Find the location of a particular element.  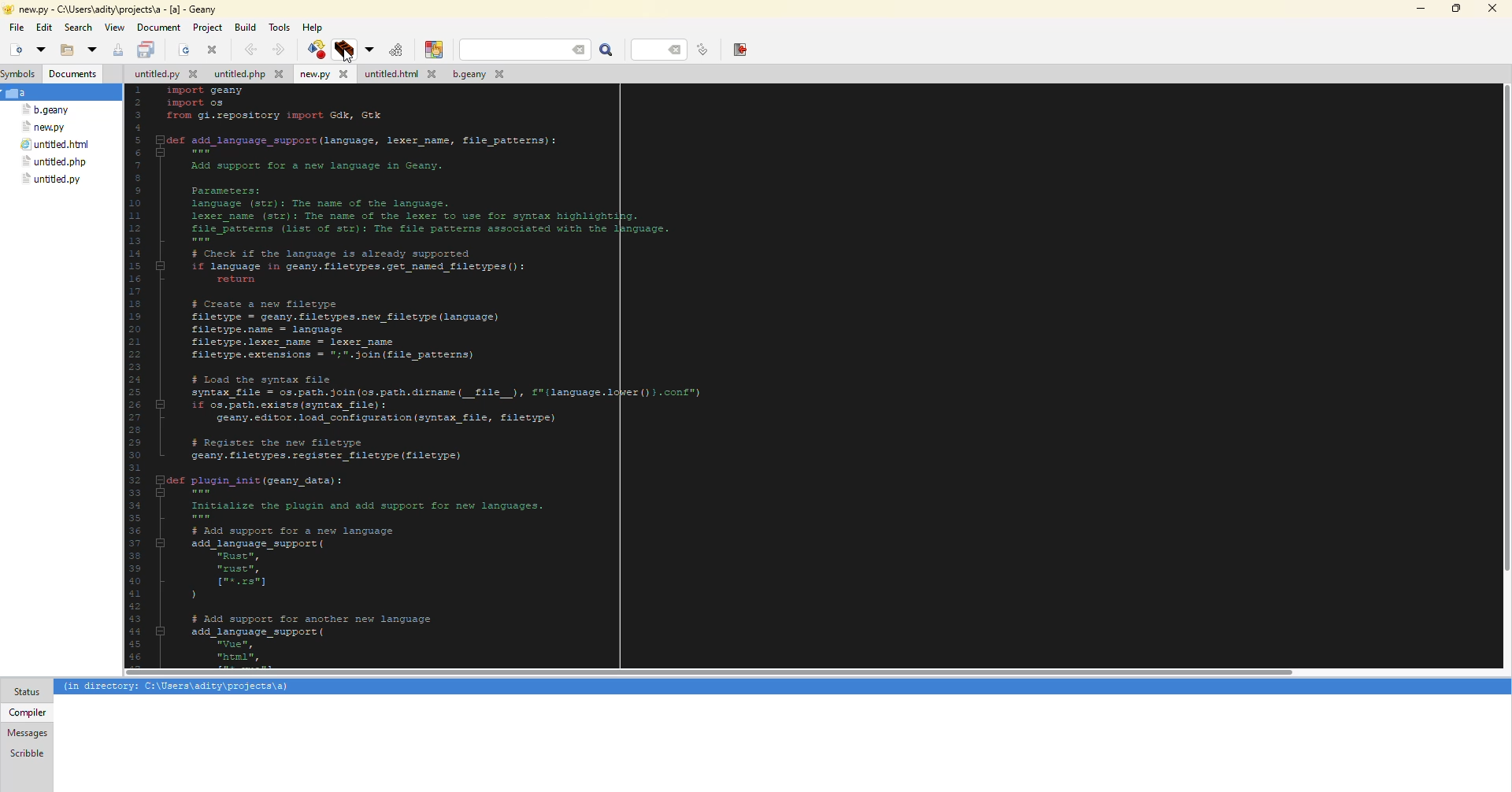

compile is located at coordinates (396, 50).